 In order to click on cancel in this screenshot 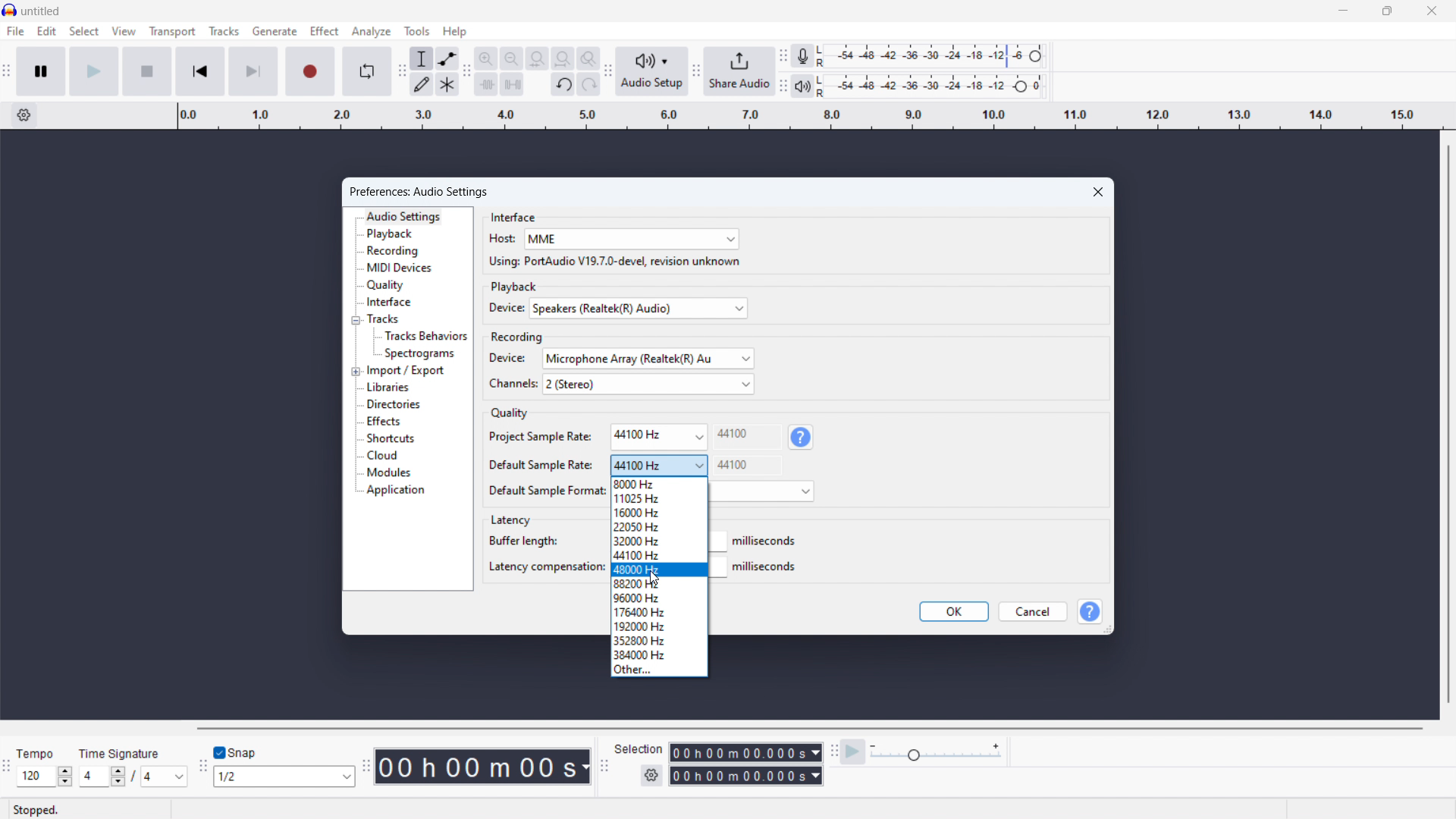, I will do `click(1031, 612)`.